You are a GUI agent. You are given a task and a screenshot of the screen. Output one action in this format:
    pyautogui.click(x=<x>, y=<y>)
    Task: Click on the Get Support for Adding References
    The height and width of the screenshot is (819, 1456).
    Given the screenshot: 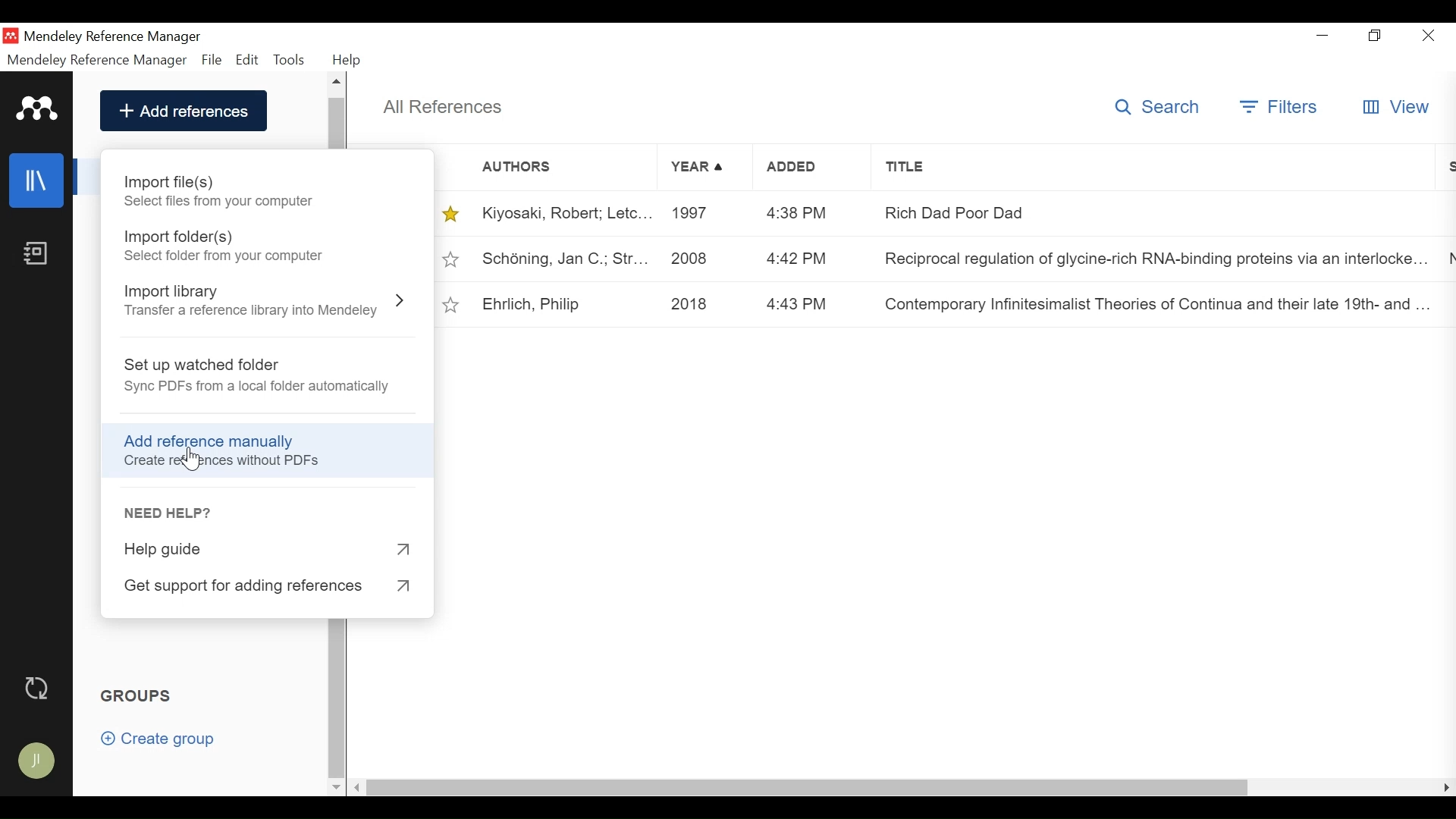 What is the action you would take?
    pyautogui.click(x=267, y=587)
    